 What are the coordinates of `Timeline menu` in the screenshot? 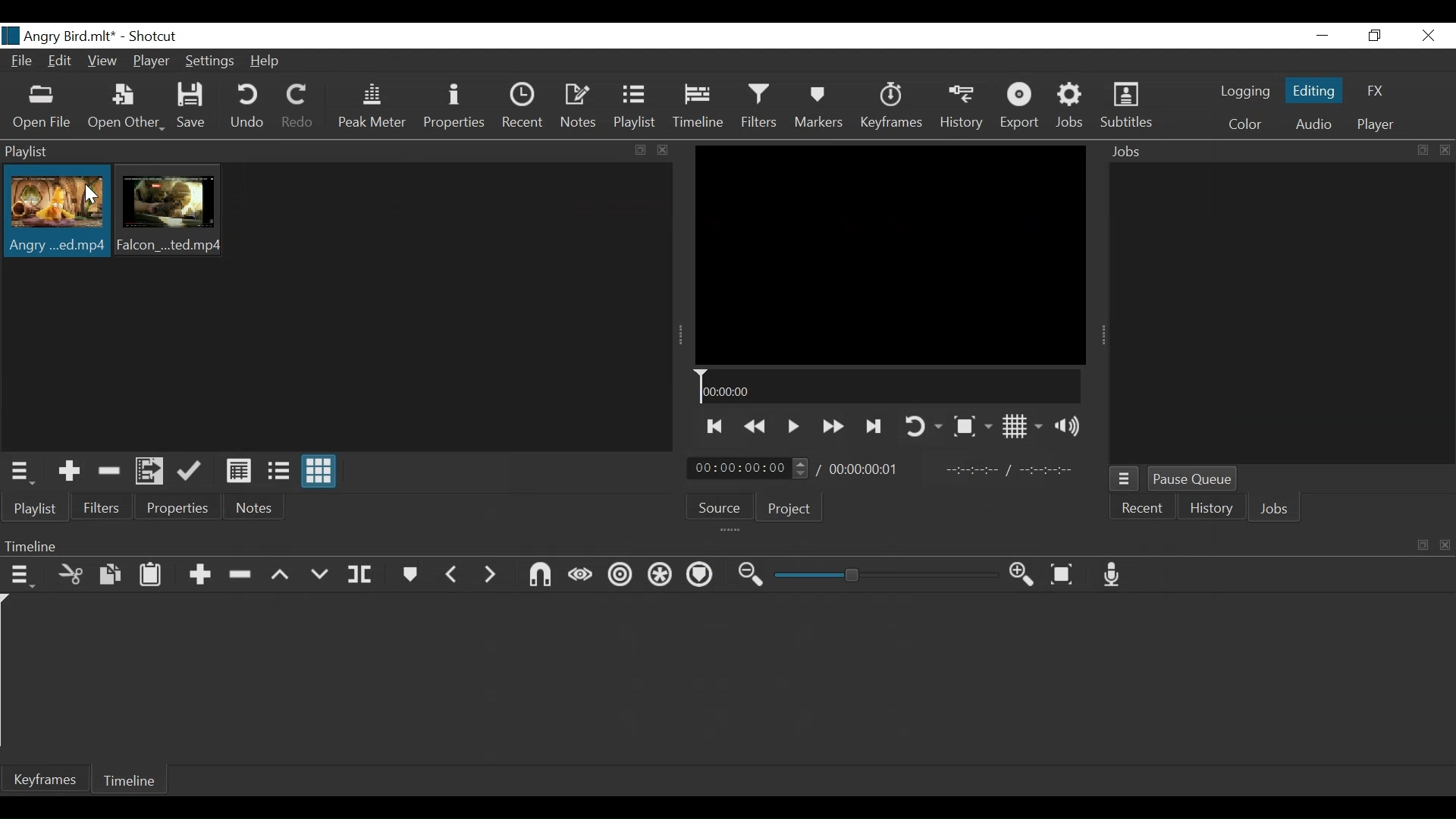 It's located at (724, 545).